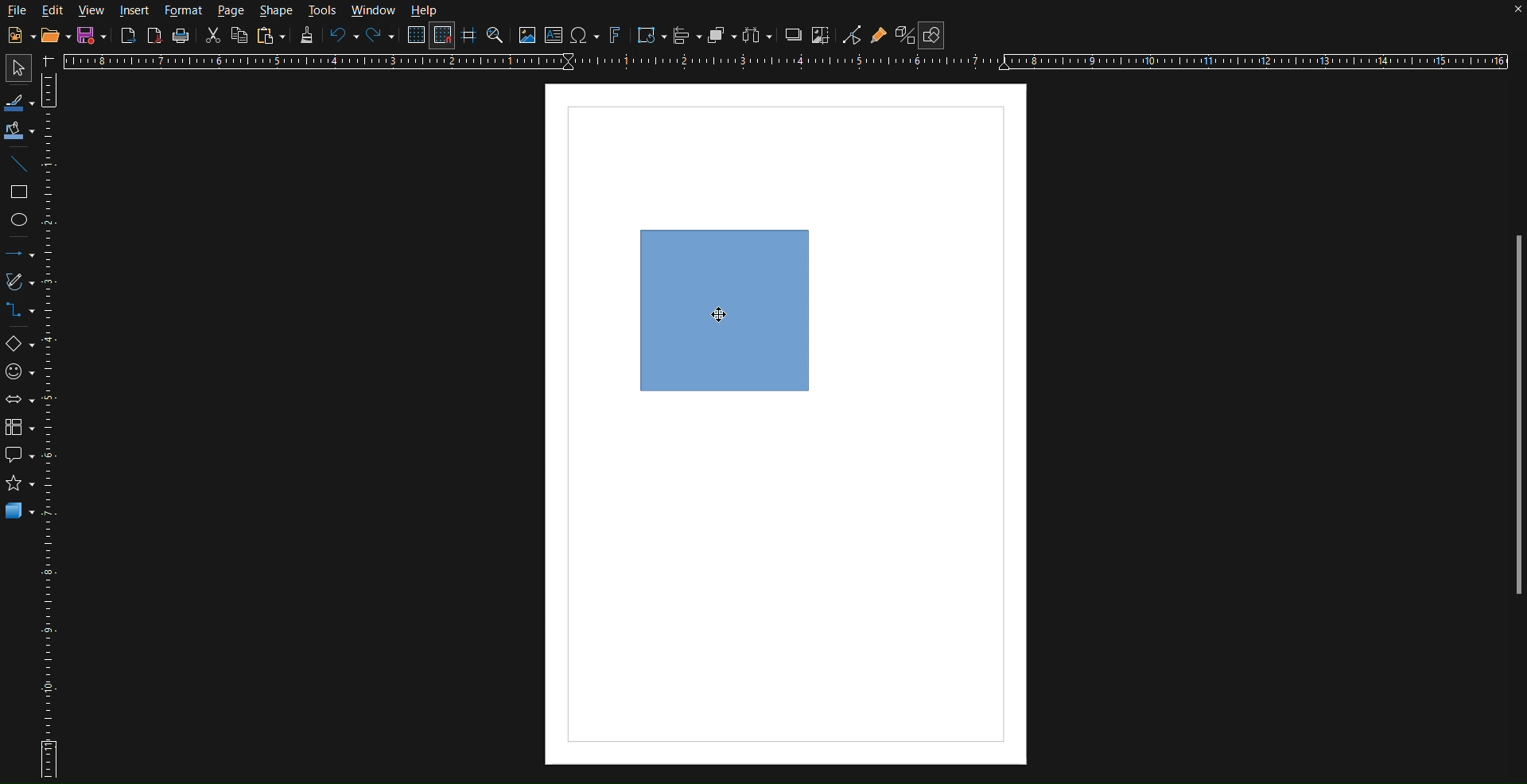 The image size is (1527, 784). I want to click on Insert Textbox, so click(556, 37).